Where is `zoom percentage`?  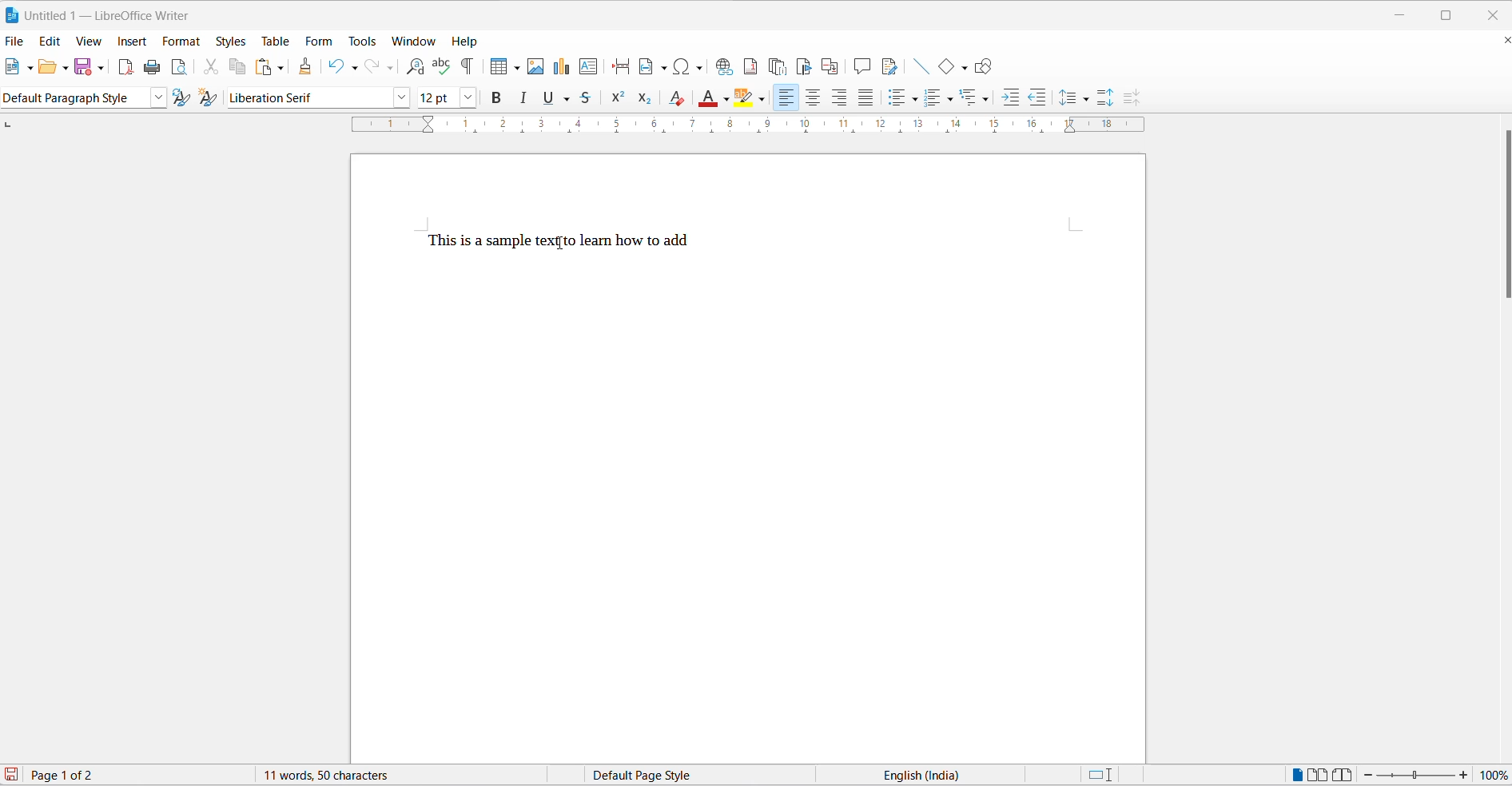
zoom percentage is located at coordinates (1496, 774).